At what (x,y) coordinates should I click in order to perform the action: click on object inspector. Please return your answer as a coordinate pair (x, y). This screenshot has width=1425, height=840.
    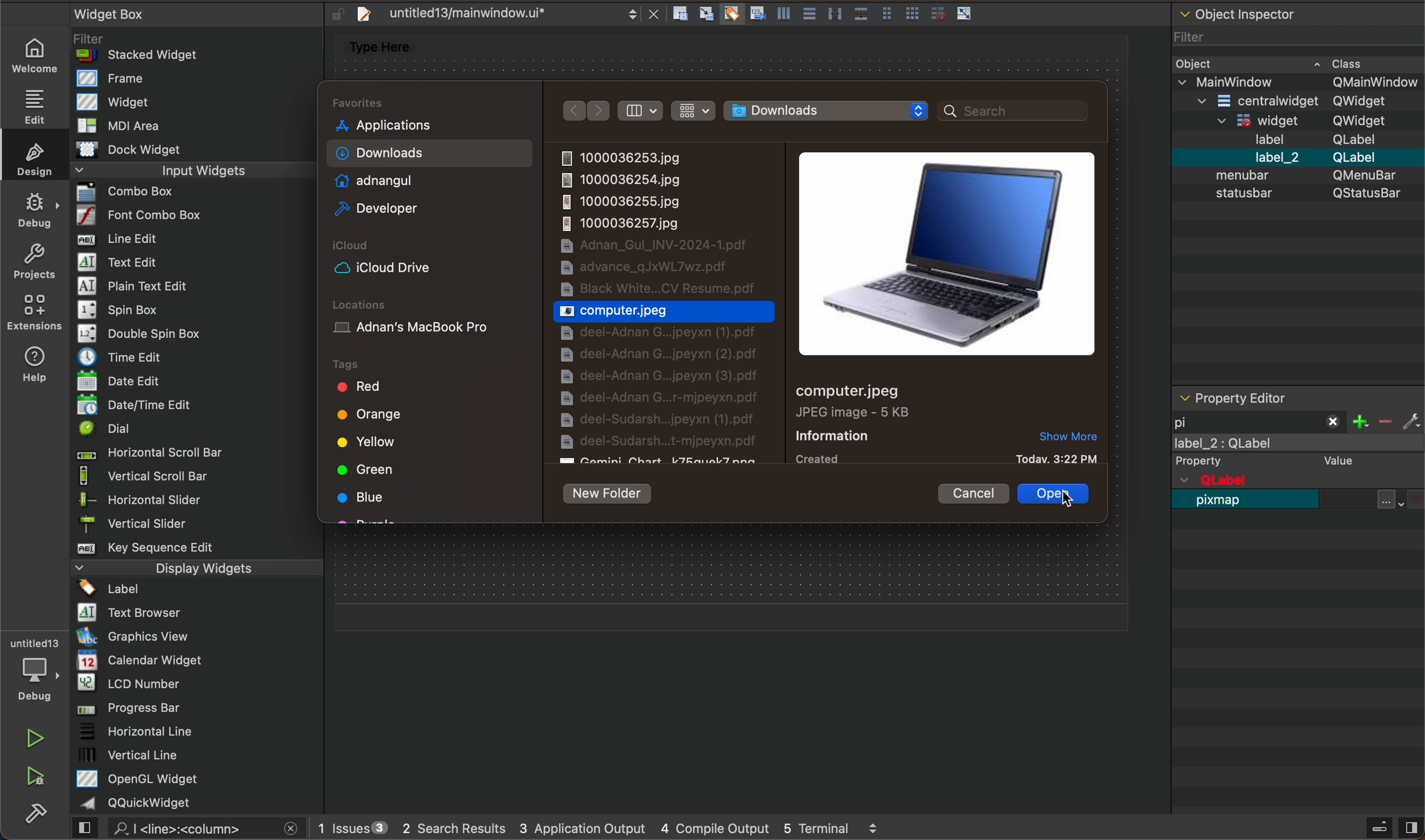
    Looking at the image, I should click on (1296, 194).